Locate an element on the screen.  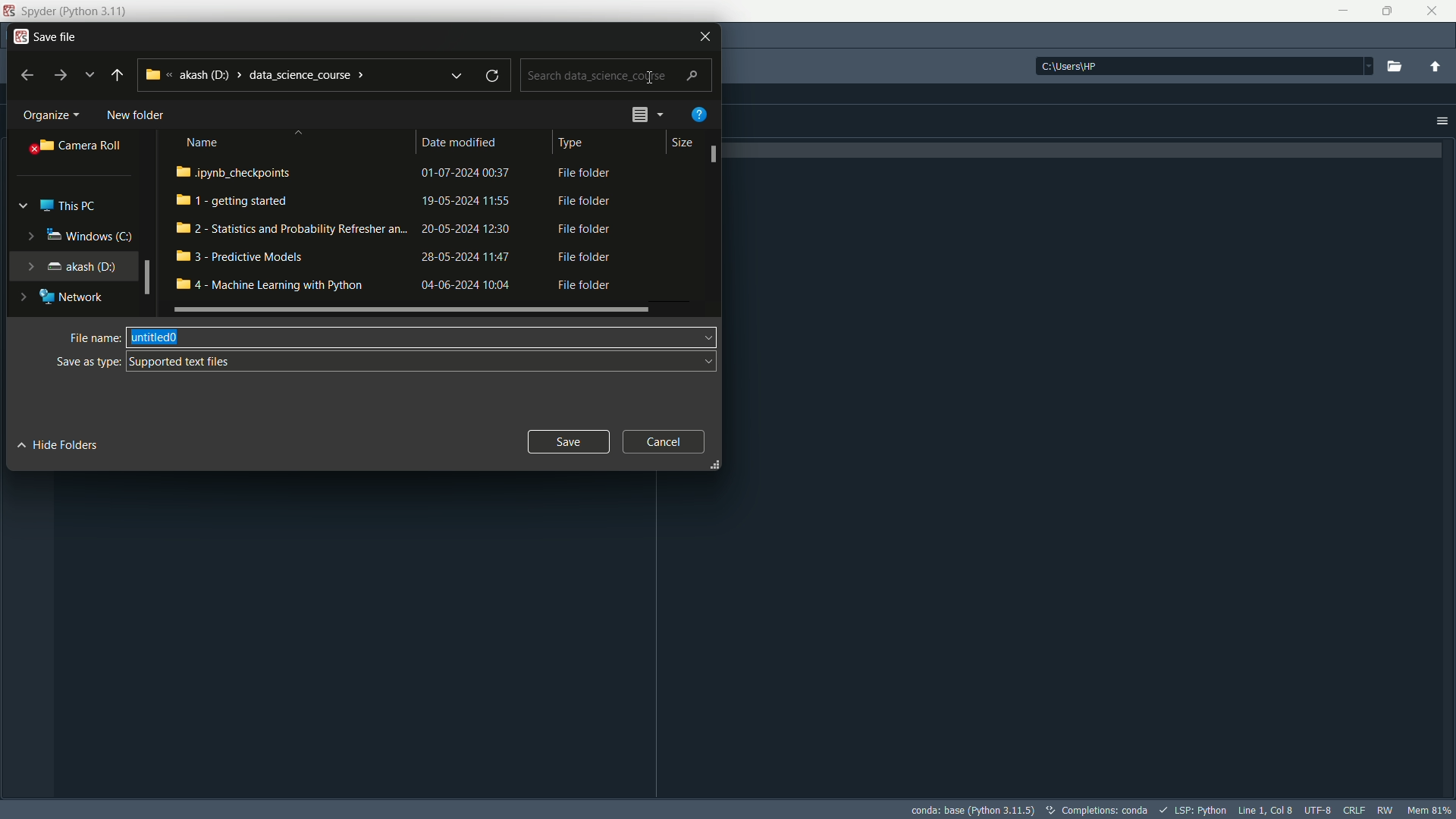
Extend is located at coordinates (31, 237).